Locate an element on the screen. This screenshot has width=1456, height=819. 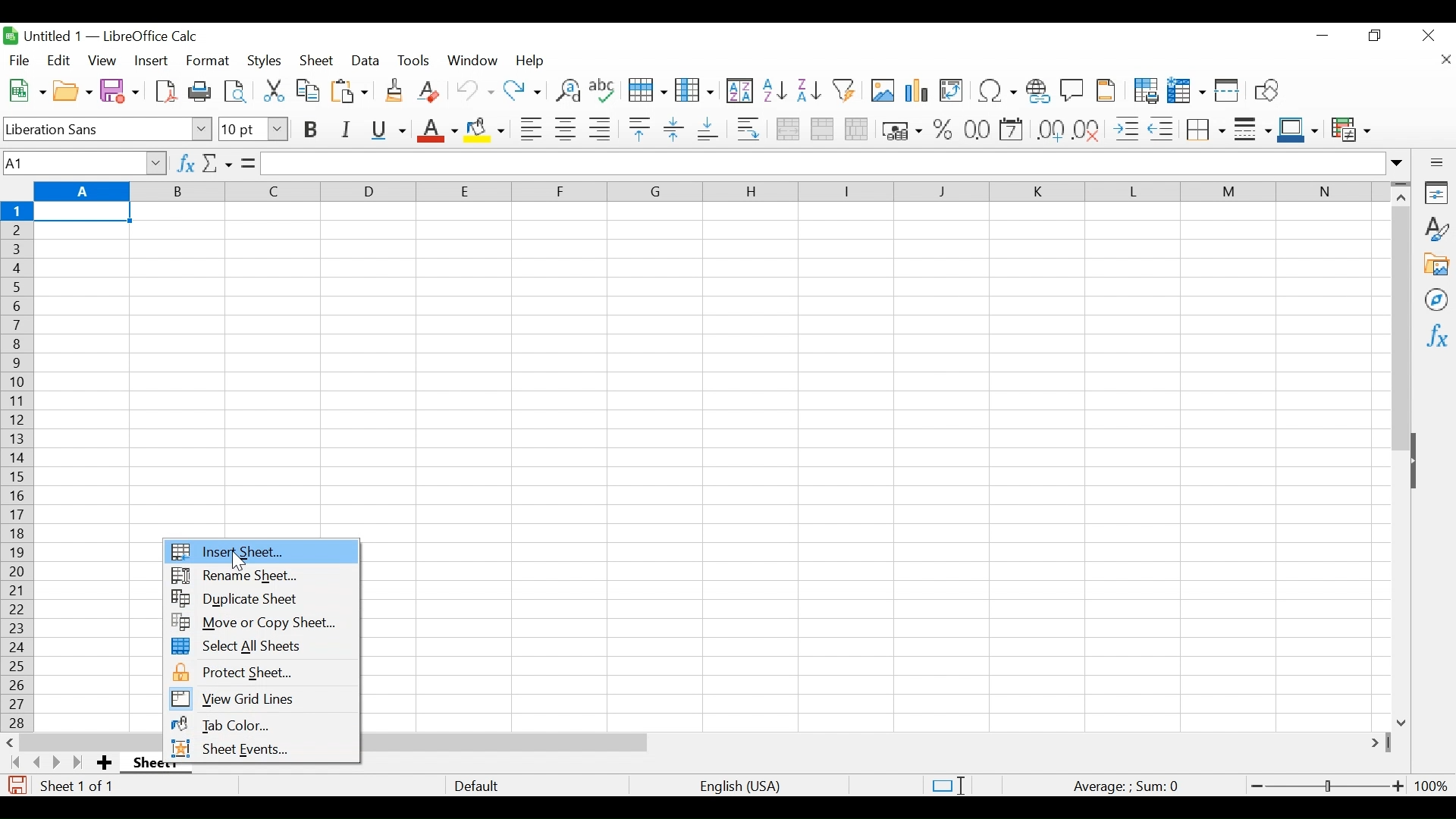
Background Color is located at coordinates (486, 132).